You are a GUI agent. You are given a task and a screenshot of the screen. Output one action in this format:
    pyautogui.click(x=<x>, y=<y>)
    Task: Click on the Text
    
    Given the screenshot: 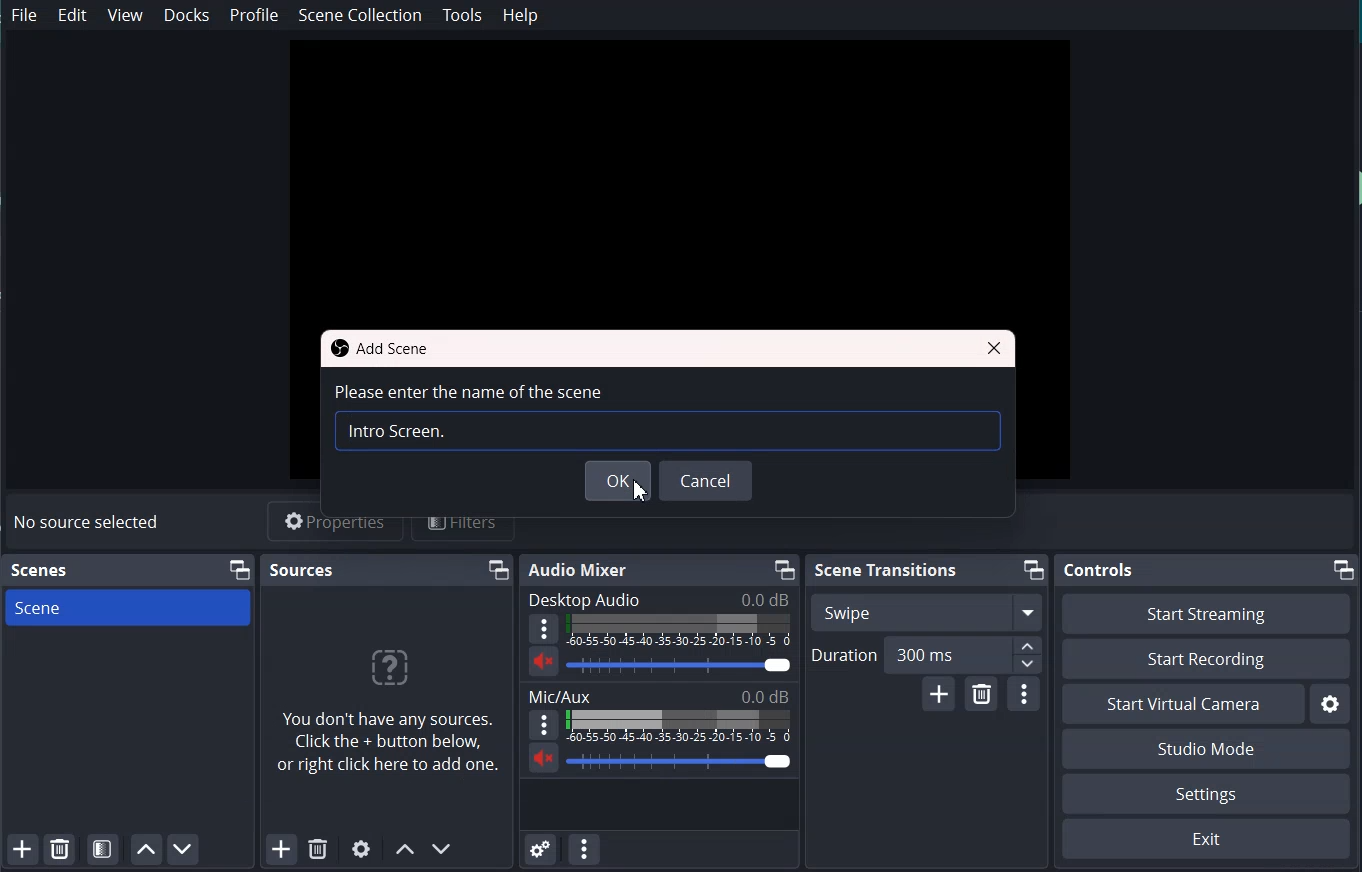 What is the action you would take?
    pyautogui.click(x=468, y=391)
    